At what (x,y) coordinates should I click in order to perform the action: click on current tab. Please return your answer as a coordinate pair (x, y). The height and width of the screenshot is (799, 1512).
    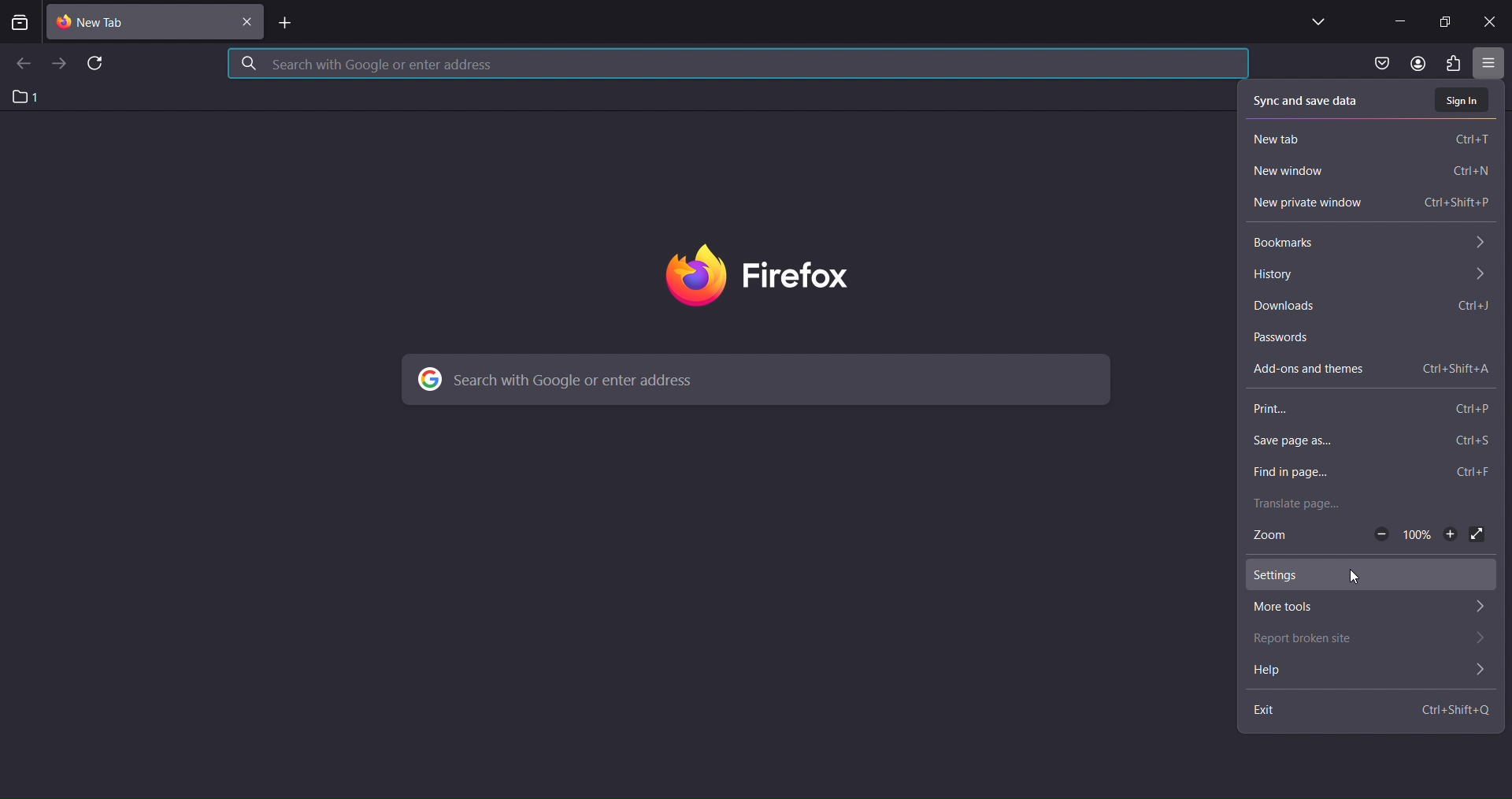
    Looking at the image, I should click on (152, 22).